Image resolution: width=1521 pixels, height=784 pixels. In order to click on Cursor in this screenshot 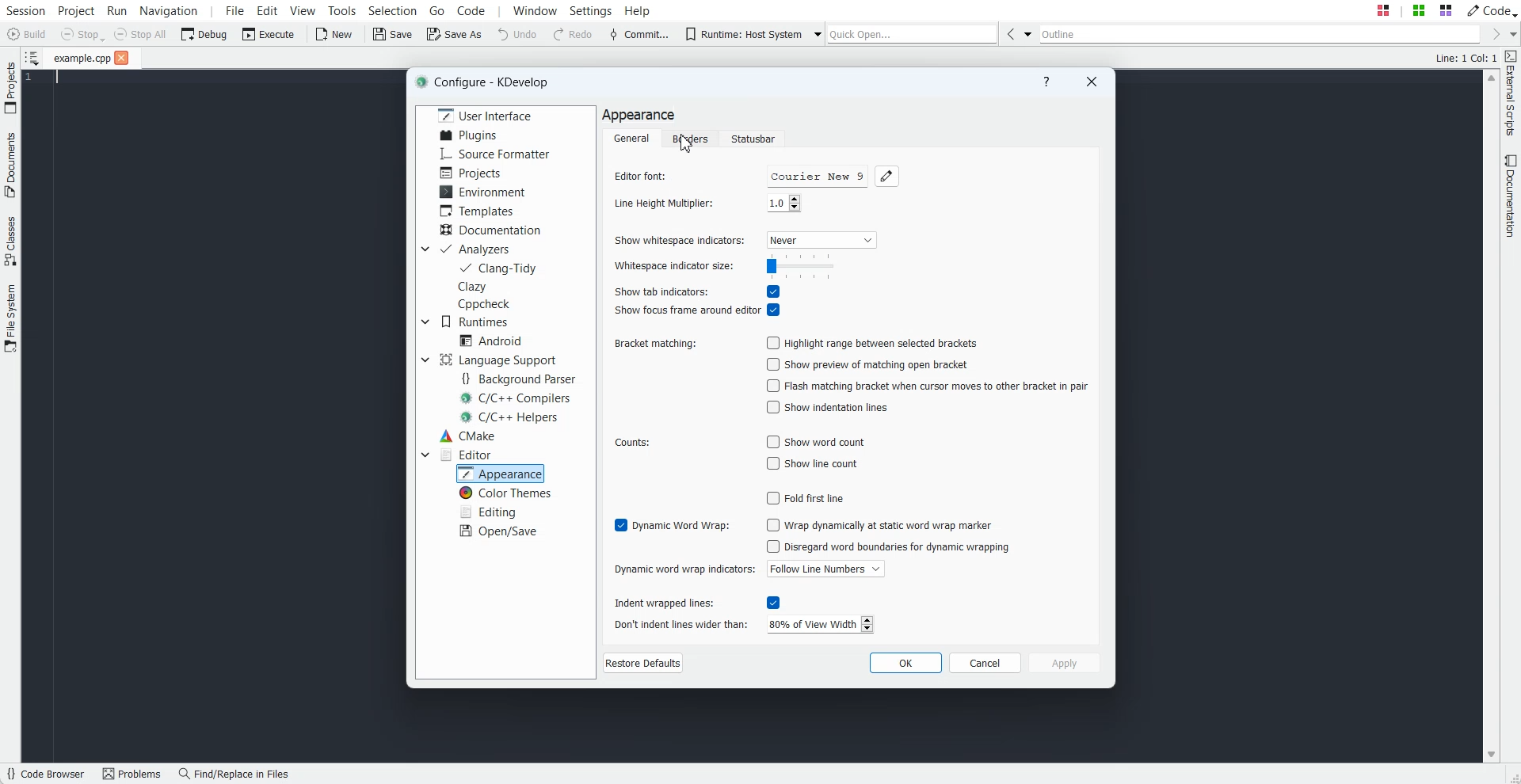, I will do `click(685, 144)`.